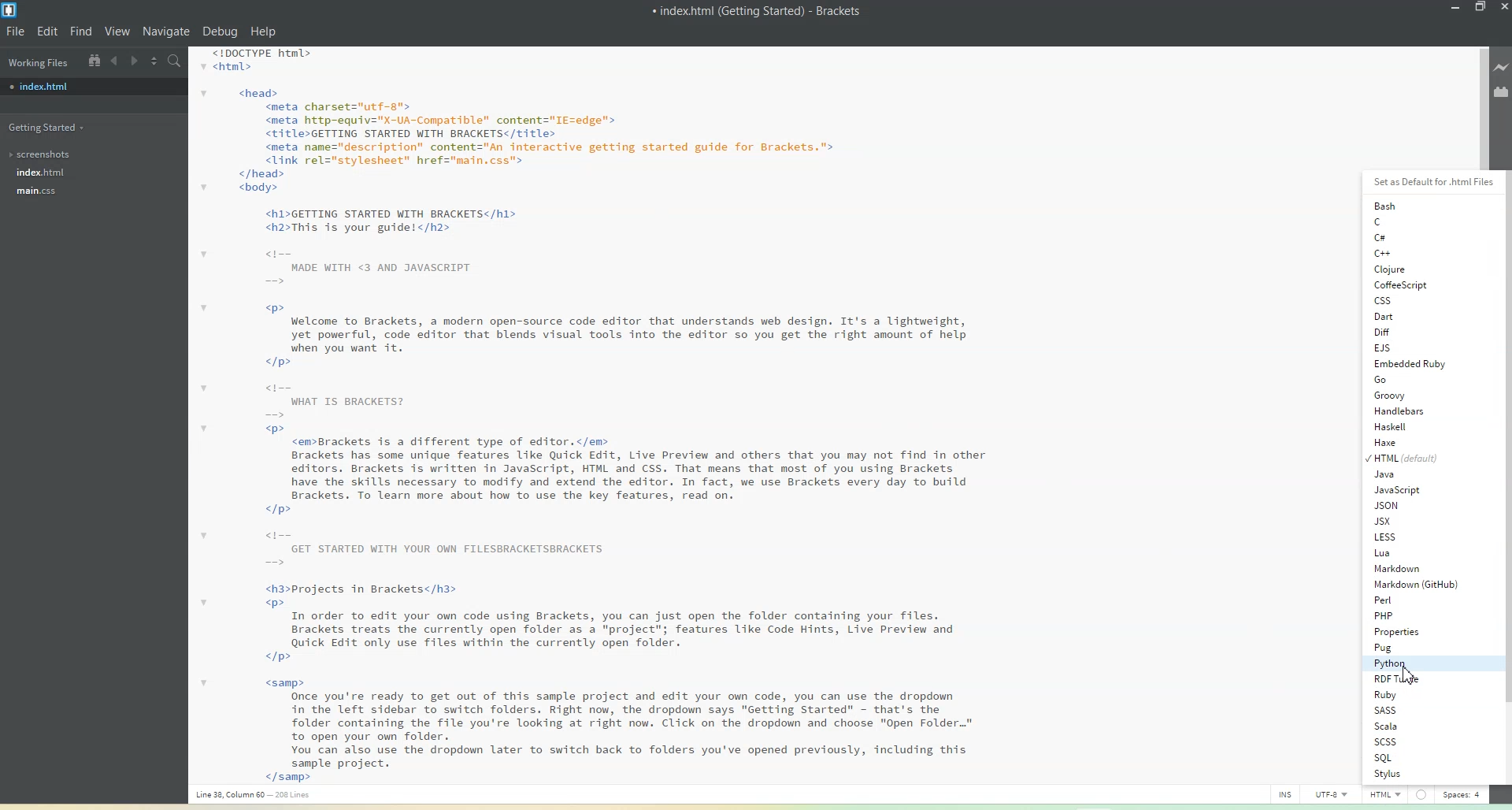 The image size is (1512, 810). Describe the element at coordinates (1401, 332) in the screenshot. I see `Diff` at that location.